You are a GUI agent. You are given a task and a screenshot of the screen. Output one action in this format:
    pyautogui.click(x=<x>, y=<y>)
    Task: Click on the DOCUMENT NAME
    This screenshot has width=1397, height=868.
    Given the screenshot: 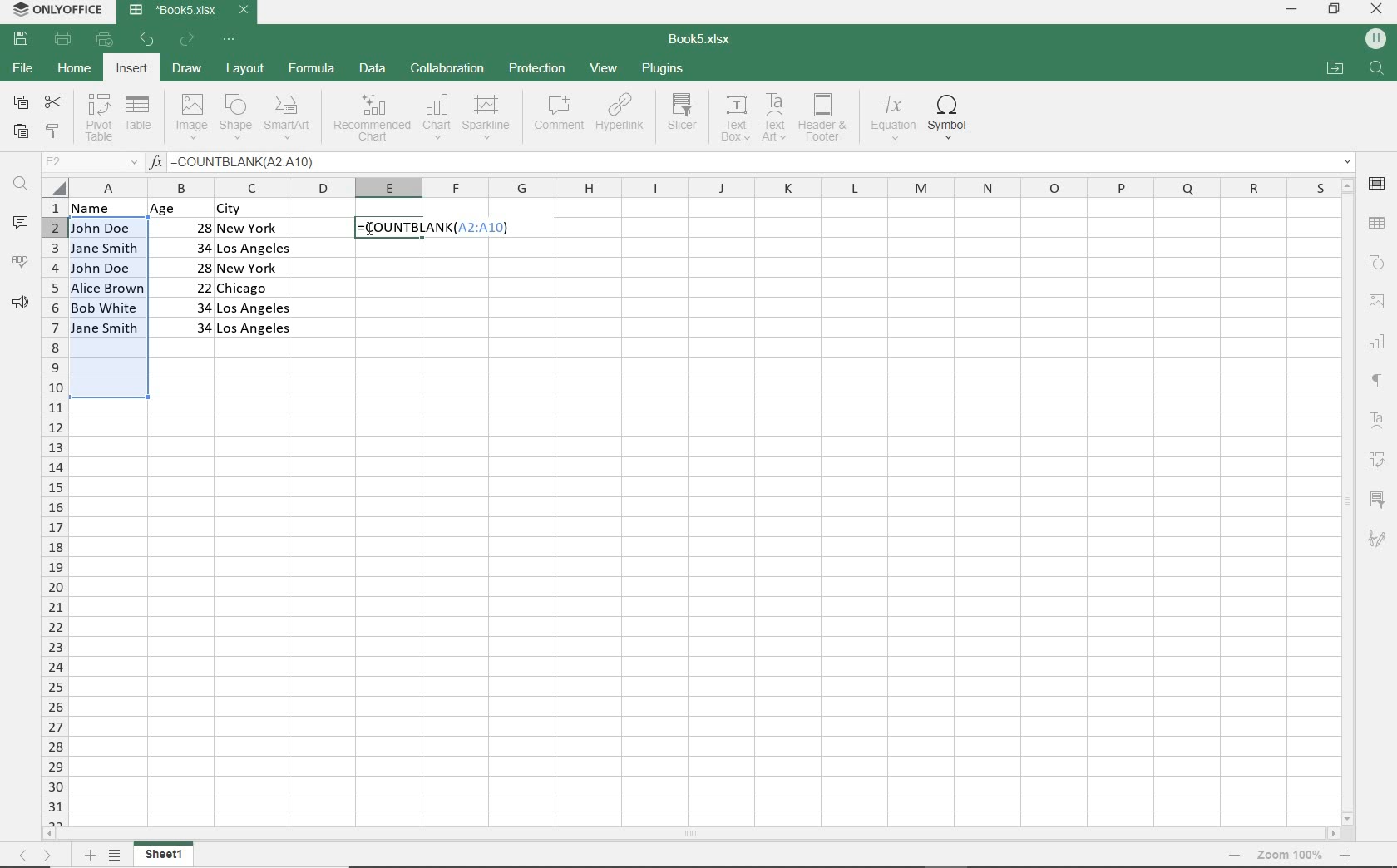 What is the action you would take?
    pyautogui.click(x=703, y=42)
    